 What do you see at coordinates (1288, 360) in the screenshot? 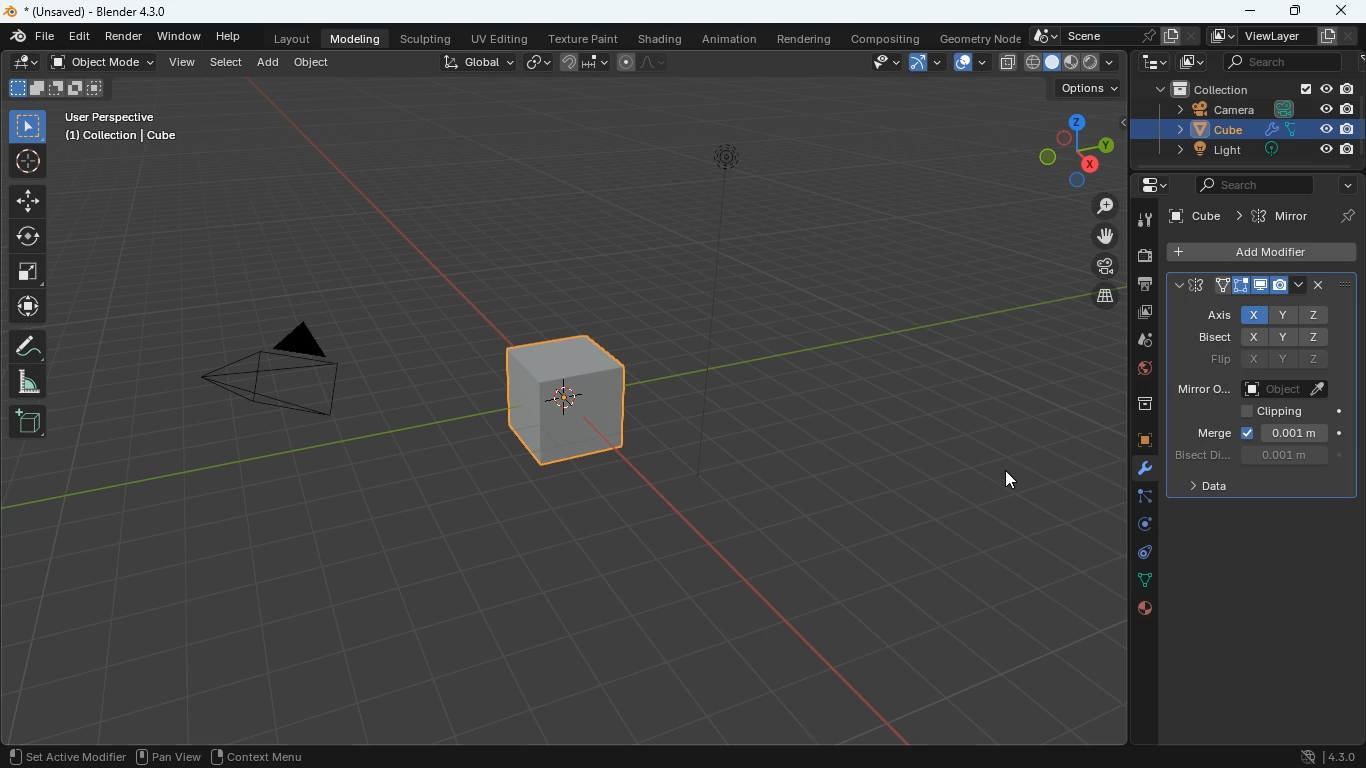
I see `xyz` at bounding box center [1288, 360].